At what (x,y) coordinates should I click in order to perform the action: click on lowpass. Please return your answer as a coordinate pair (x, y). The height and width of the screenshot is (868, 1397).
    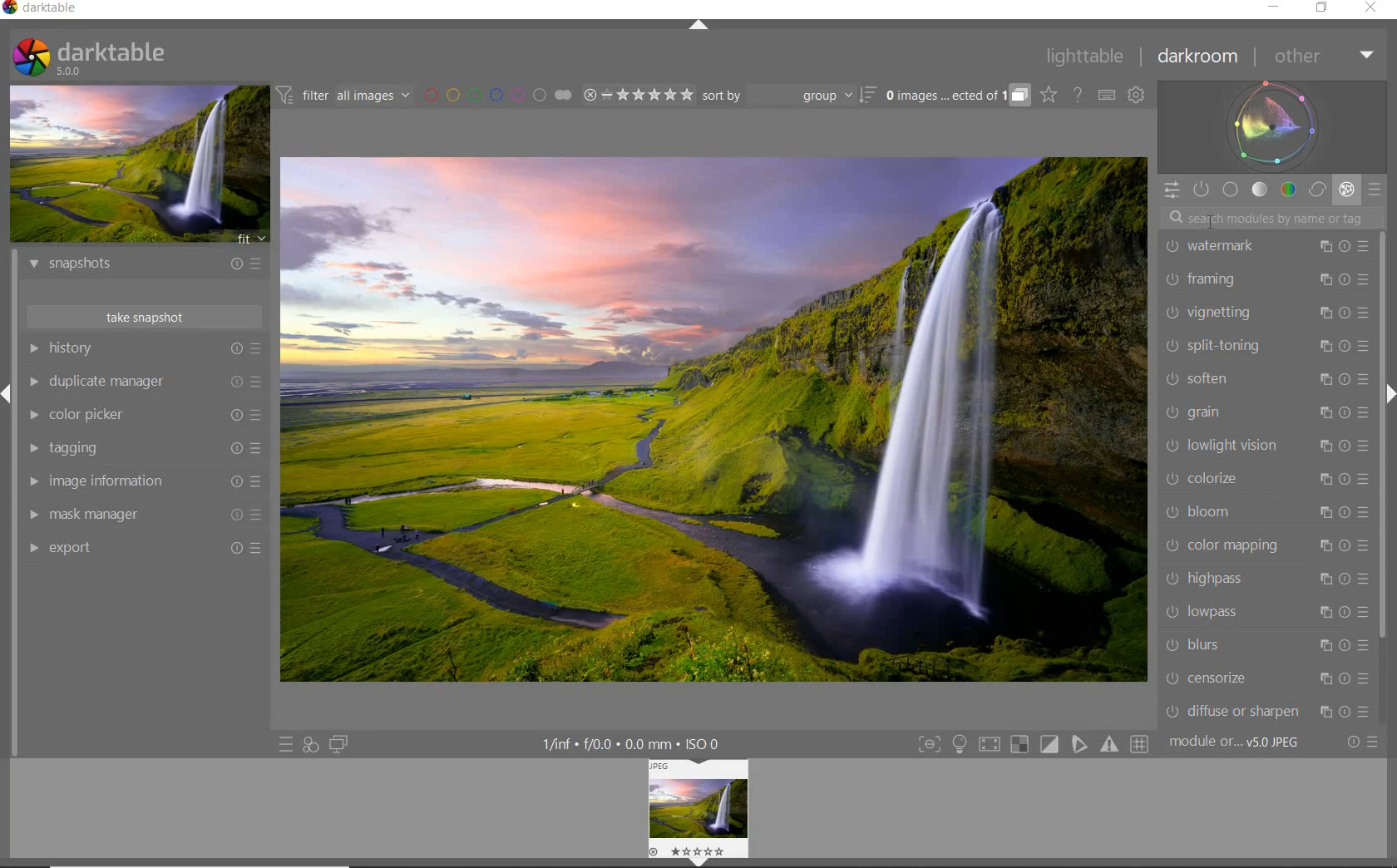
    Looking at the image, I should click on (1266, 614).